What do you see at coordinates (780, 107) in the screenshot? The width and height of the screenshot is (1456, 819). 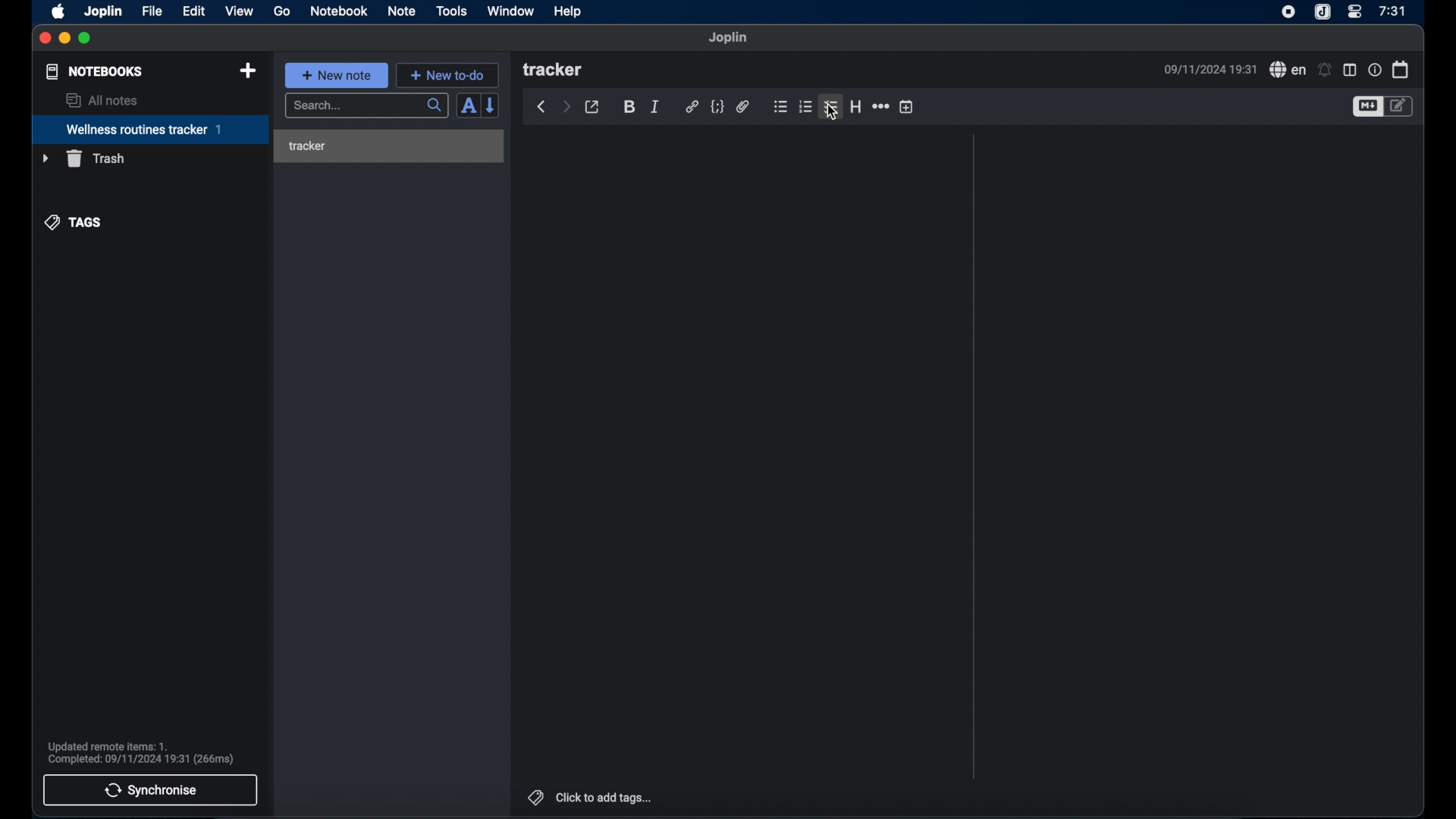 I see `bulleted list` at bounding box center [780, 107].